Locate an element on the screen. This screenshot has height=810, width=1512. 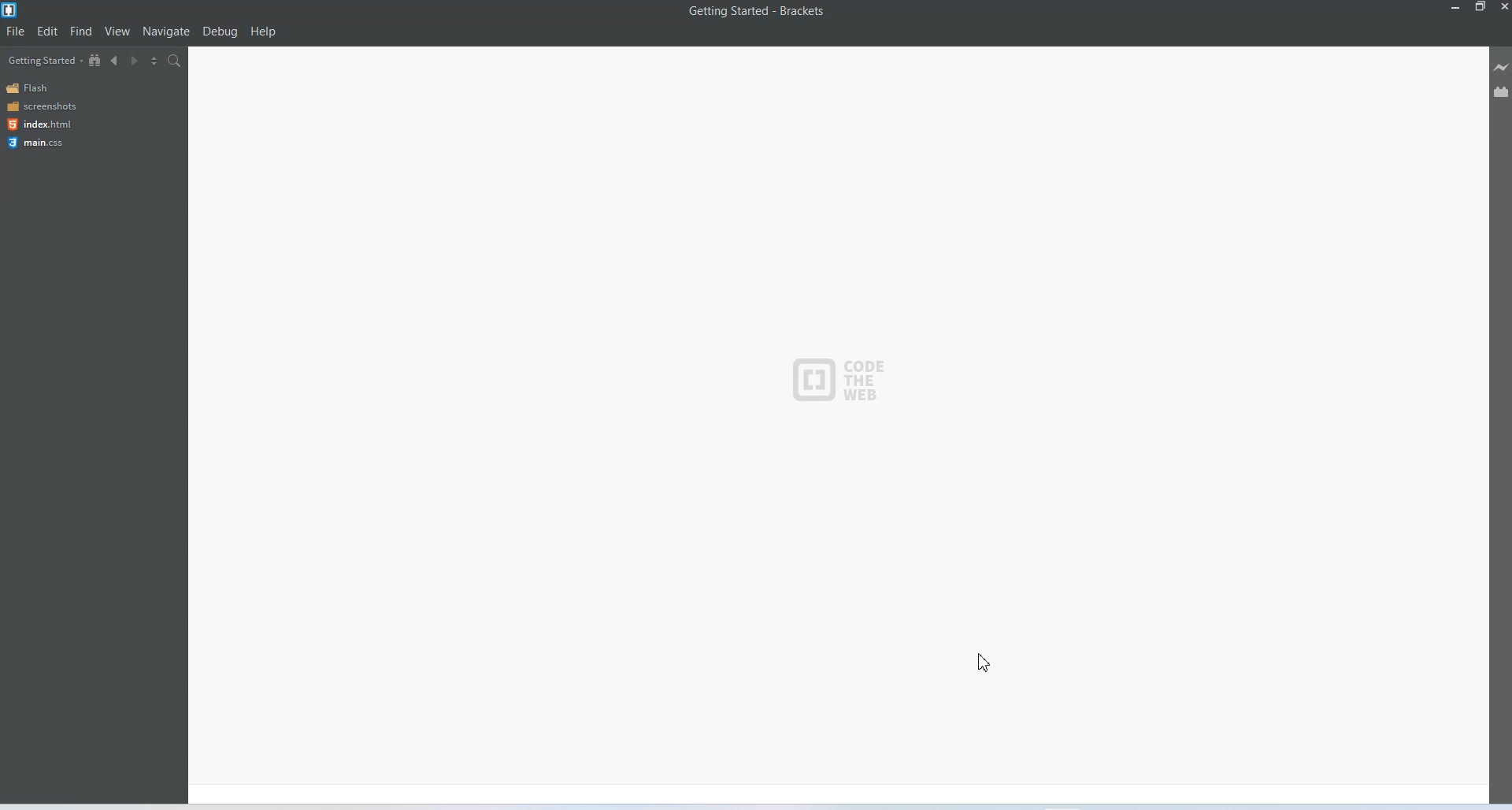
Index html is located at coordinates (54, 125).